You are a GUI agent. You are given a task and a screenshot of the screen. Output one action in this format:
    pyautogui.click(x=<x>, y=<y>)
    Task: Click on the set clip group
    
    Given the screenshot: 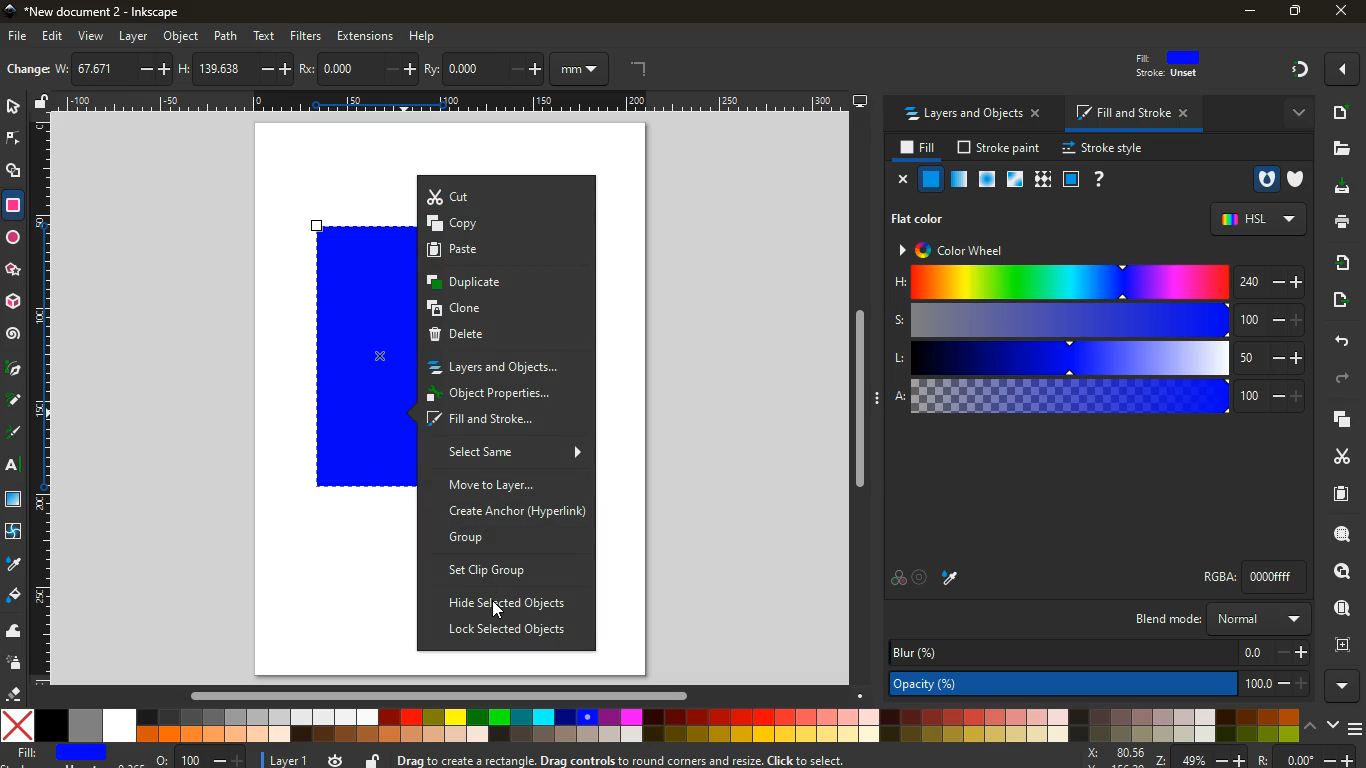 What is the action you would take?
    pyautogui.click(x=505, y=569)
    